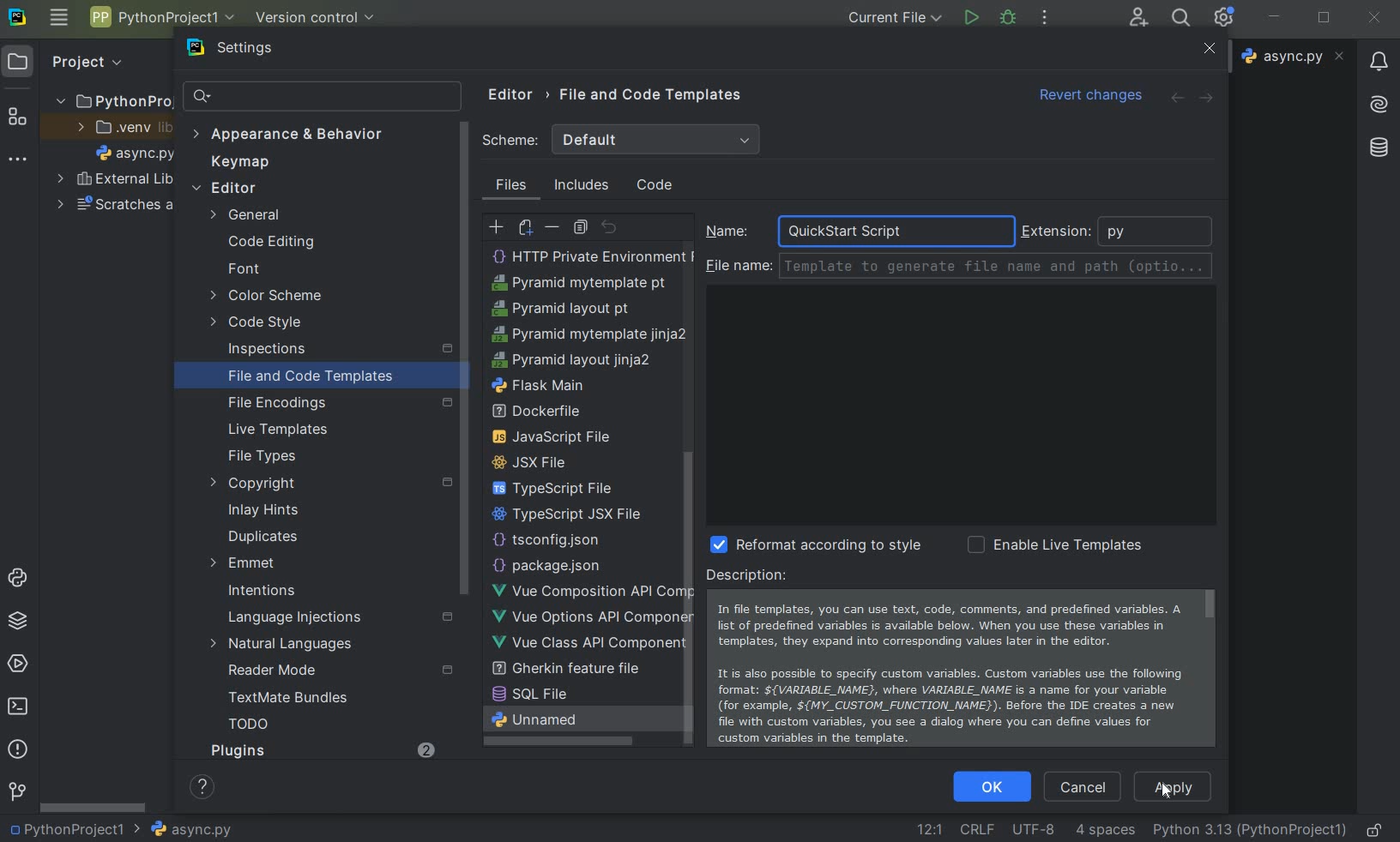 Image resolution: width=1400 pixels, height=842 pixels. Describe the element at coordinates (267, 243) in the screenshot. I see `code editing` at that location.